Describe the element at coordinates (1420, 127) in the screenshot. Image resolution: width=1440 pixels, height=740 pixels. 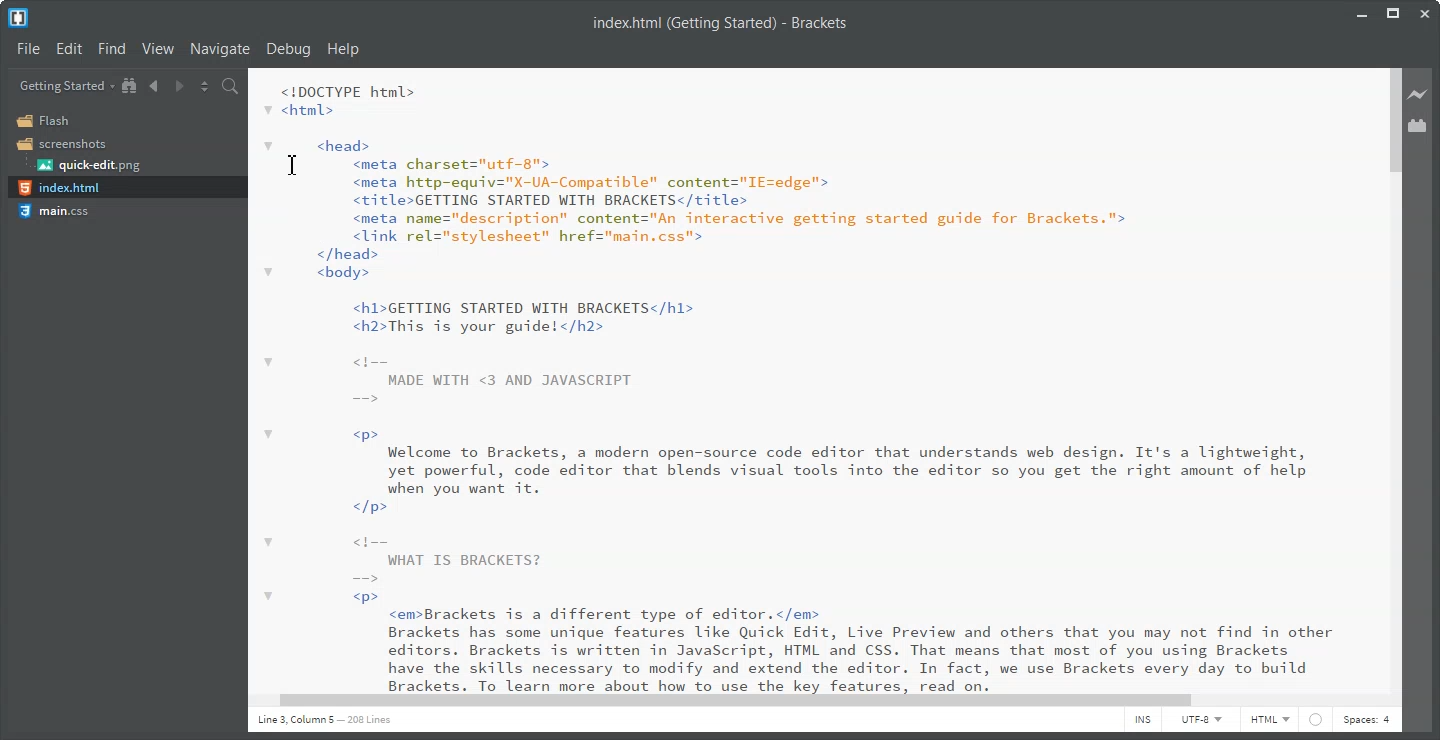
I see `Extension Manager` at that location.